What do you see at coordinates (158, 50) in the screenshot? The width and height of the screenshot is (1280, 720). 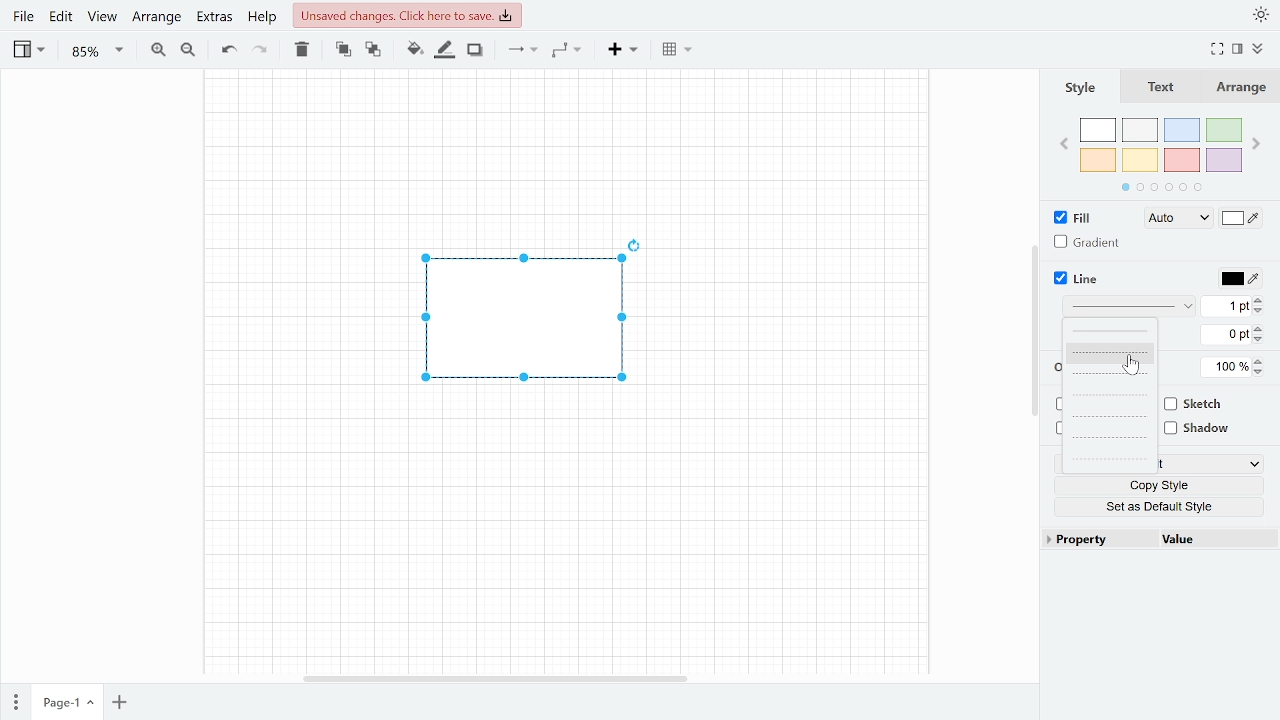 I see `Zoom in` at bounding box center [158, 50].